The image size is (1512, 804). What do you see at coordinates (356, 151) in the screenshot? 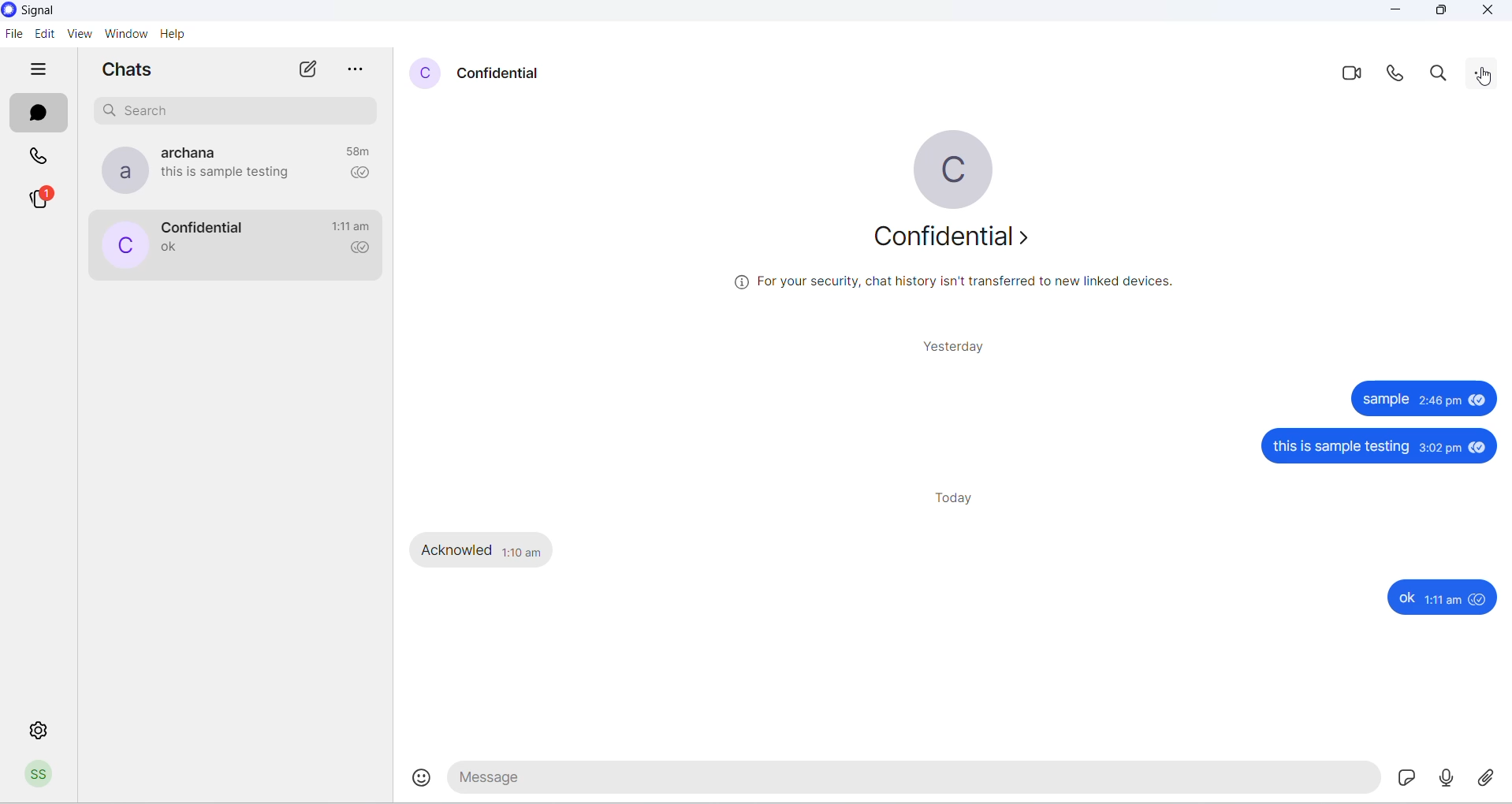
I see `last message time` at bounding box center [356, 151].